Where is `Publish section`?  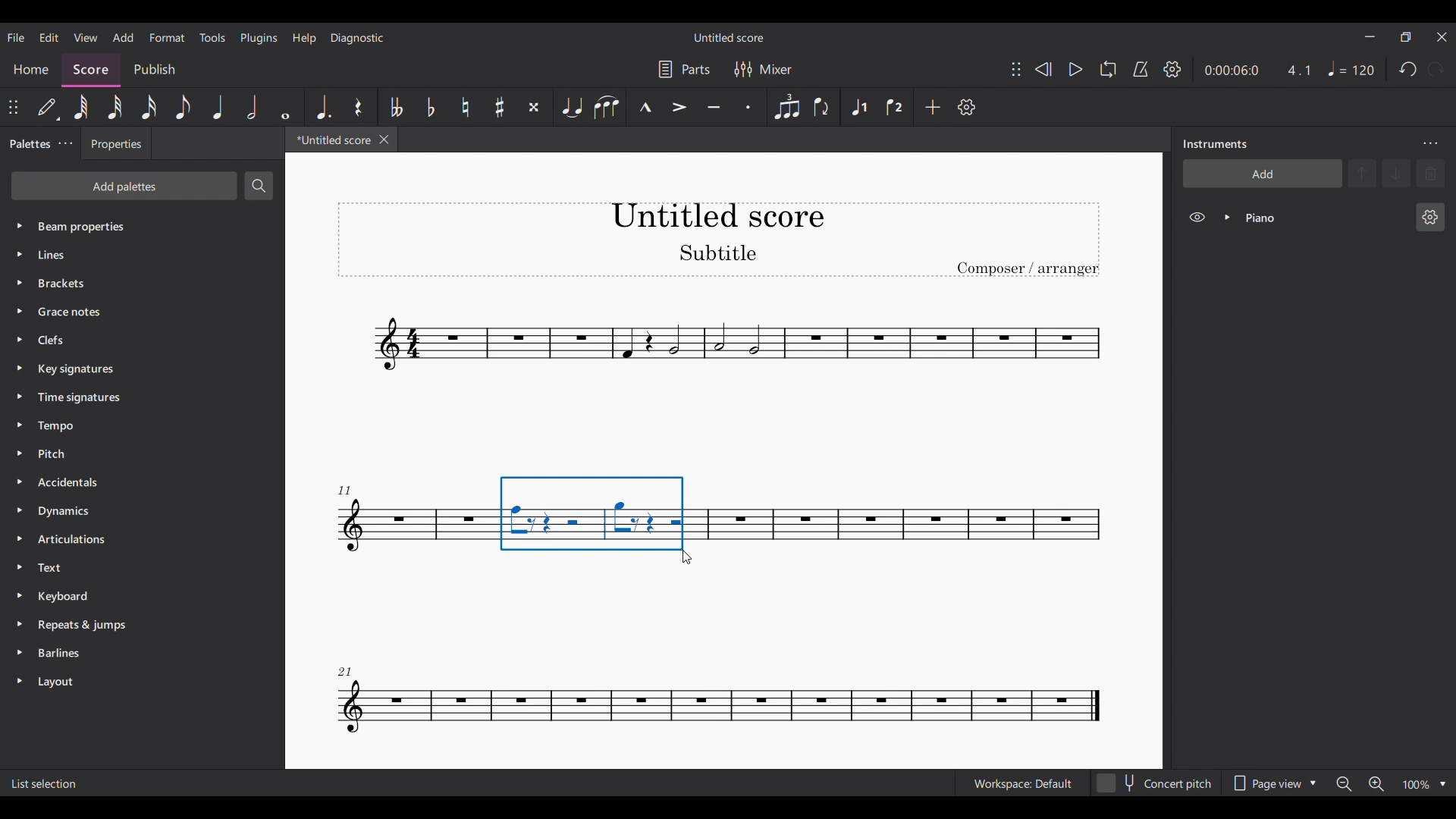 Publish section is located at coordinates (154, 67).